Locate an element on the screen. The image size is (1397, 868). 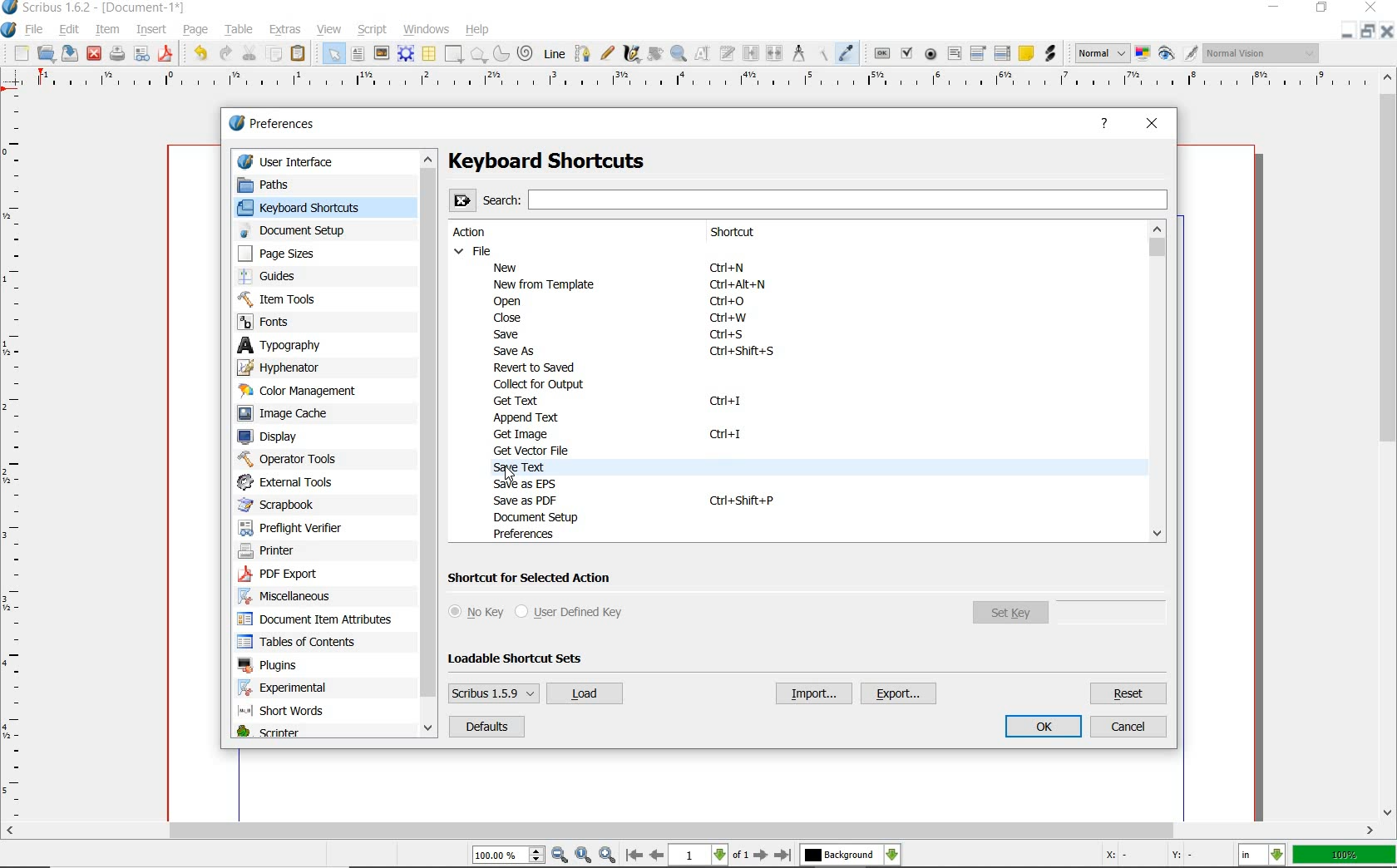
unlink text frames is located at coordinates (774, 53).